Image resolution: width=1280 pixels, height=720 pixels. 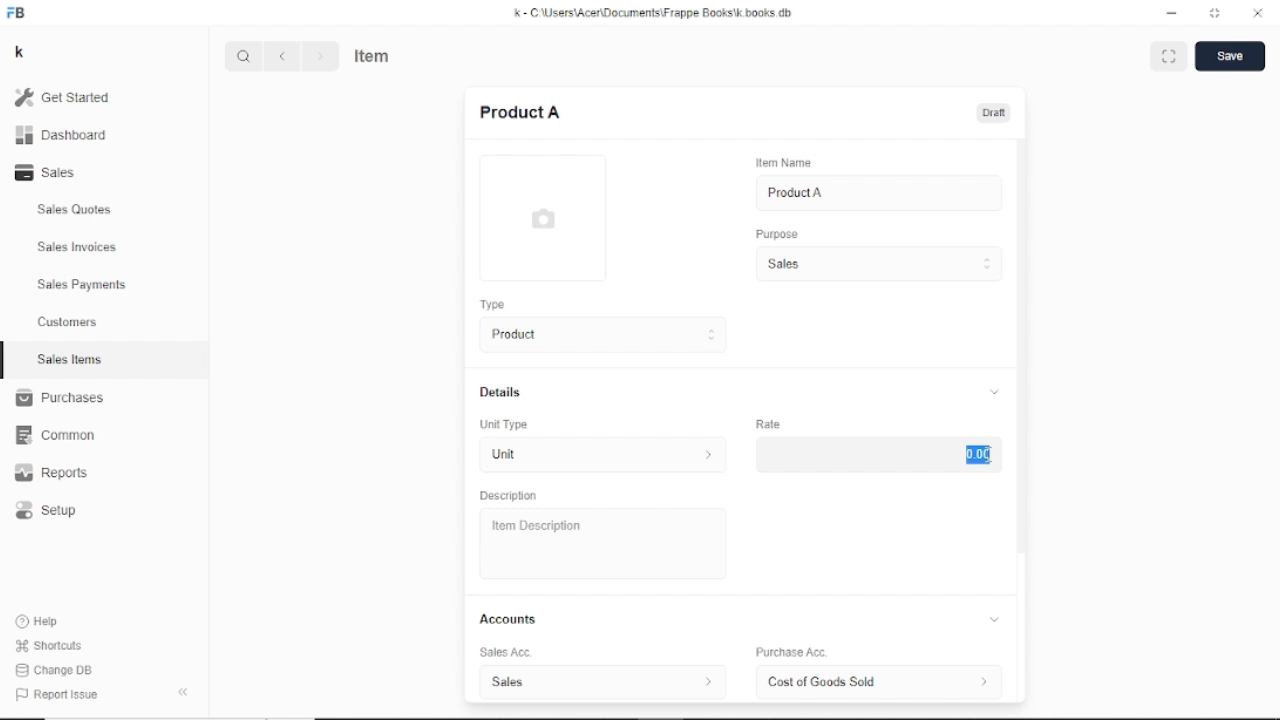 I want to click on FB, so click(x=18, y=14).